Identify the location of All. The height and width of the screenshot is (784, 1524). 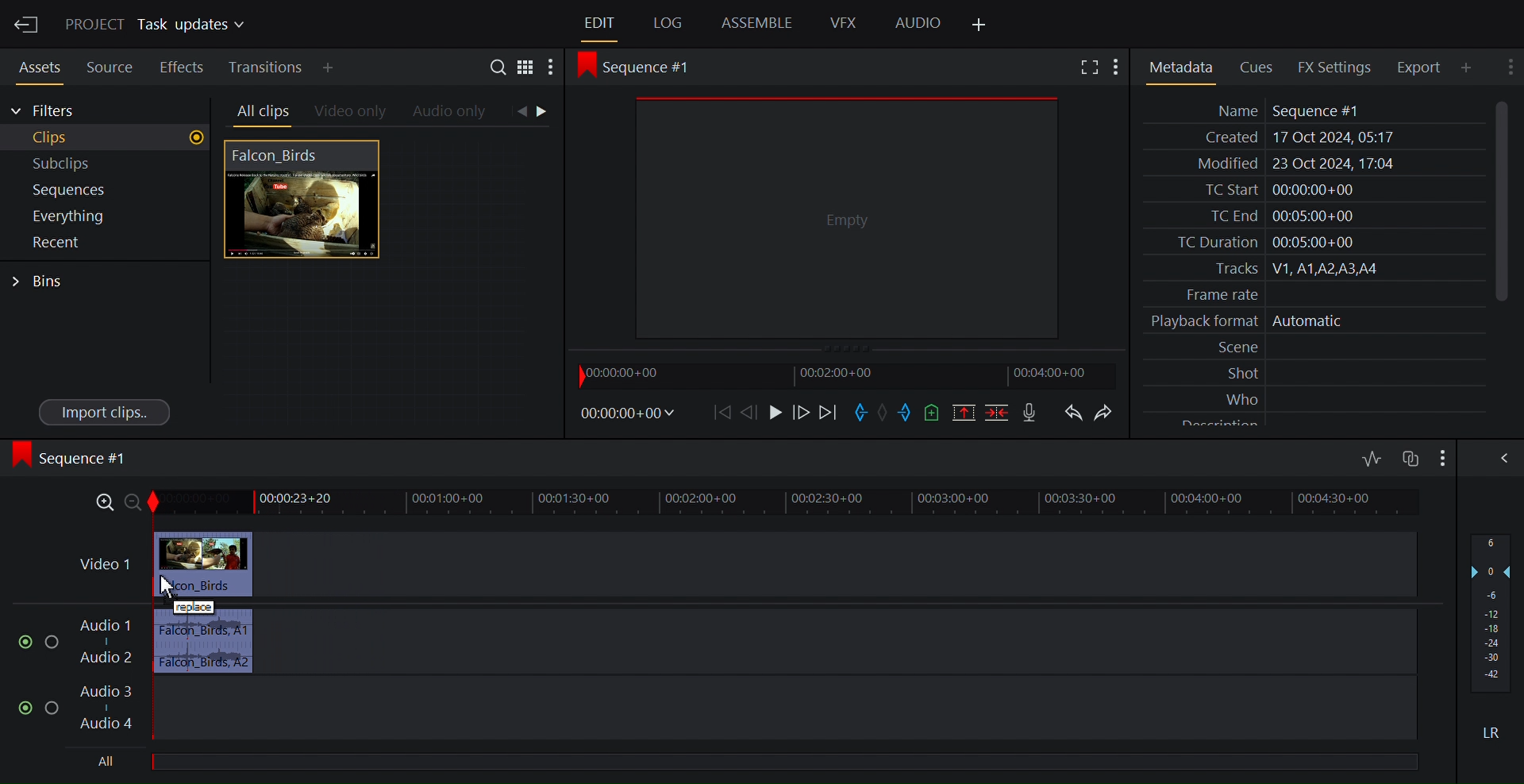
(791, 759).